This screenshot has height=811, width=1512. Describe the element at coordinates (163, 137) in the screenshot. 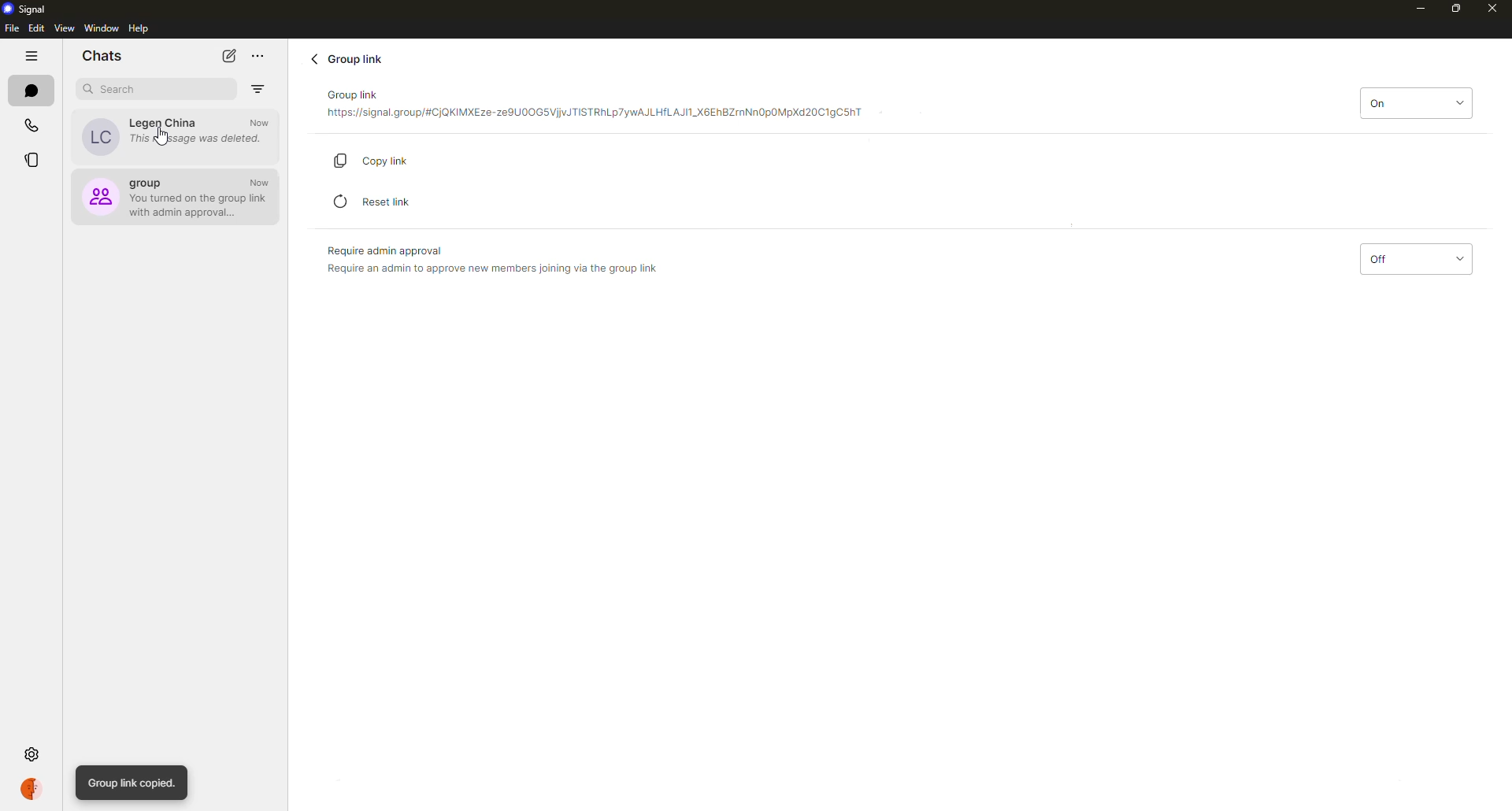

I see `cursor` at that location.